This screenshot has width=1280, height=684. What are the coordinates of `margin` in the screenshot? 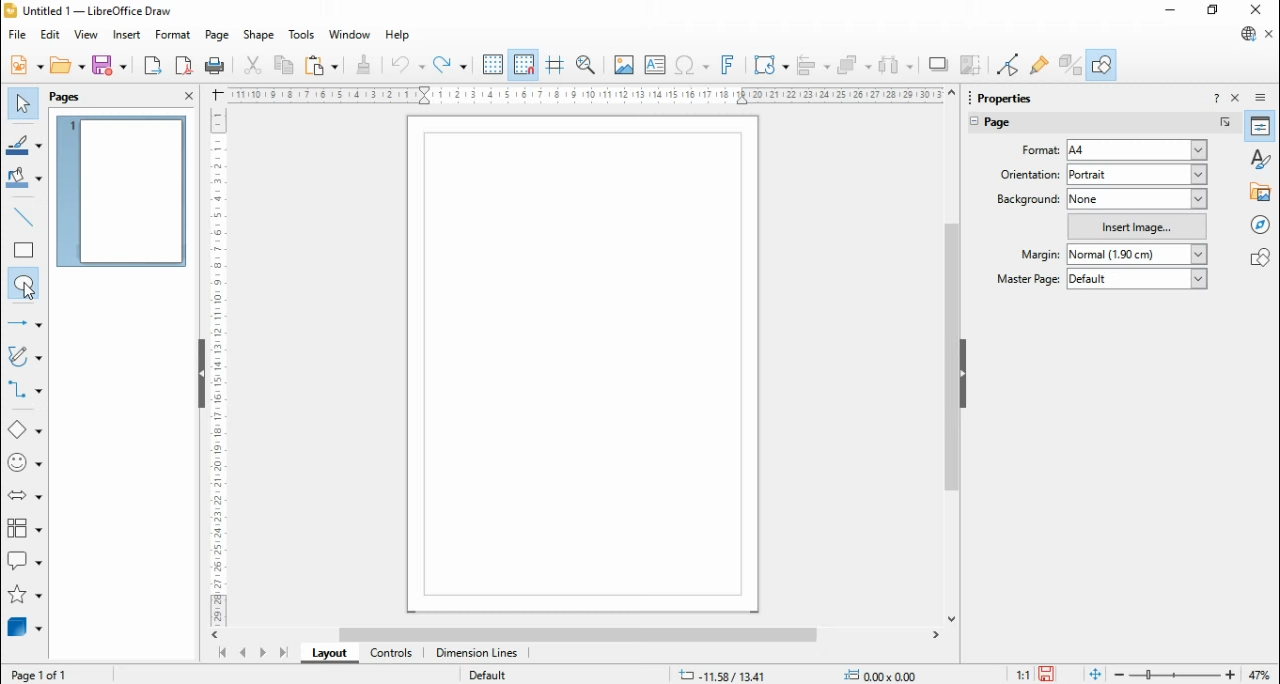 It's located at (1038, 254).